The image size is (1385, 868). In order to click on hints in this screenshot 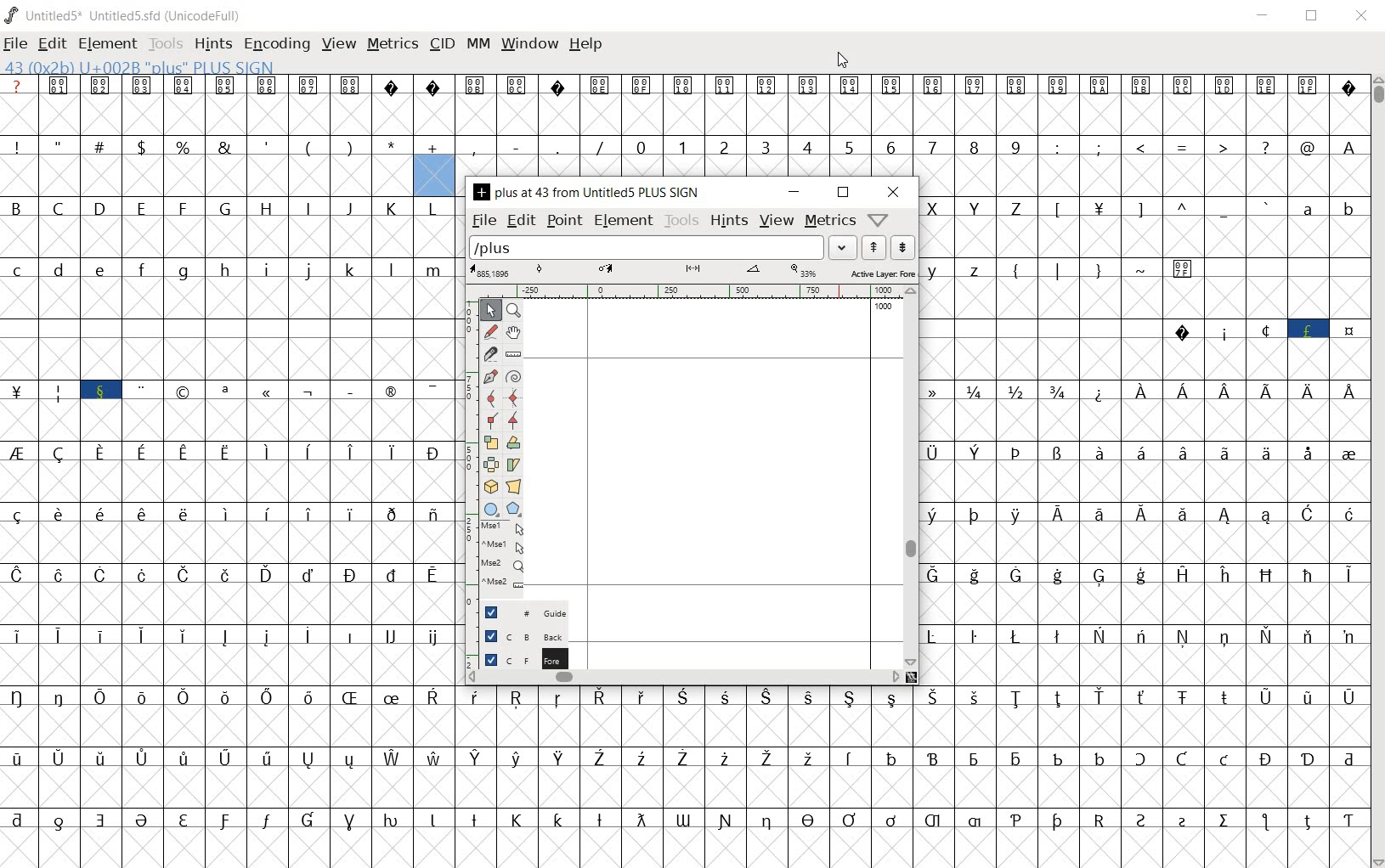, I will do `click(729, 223)`.